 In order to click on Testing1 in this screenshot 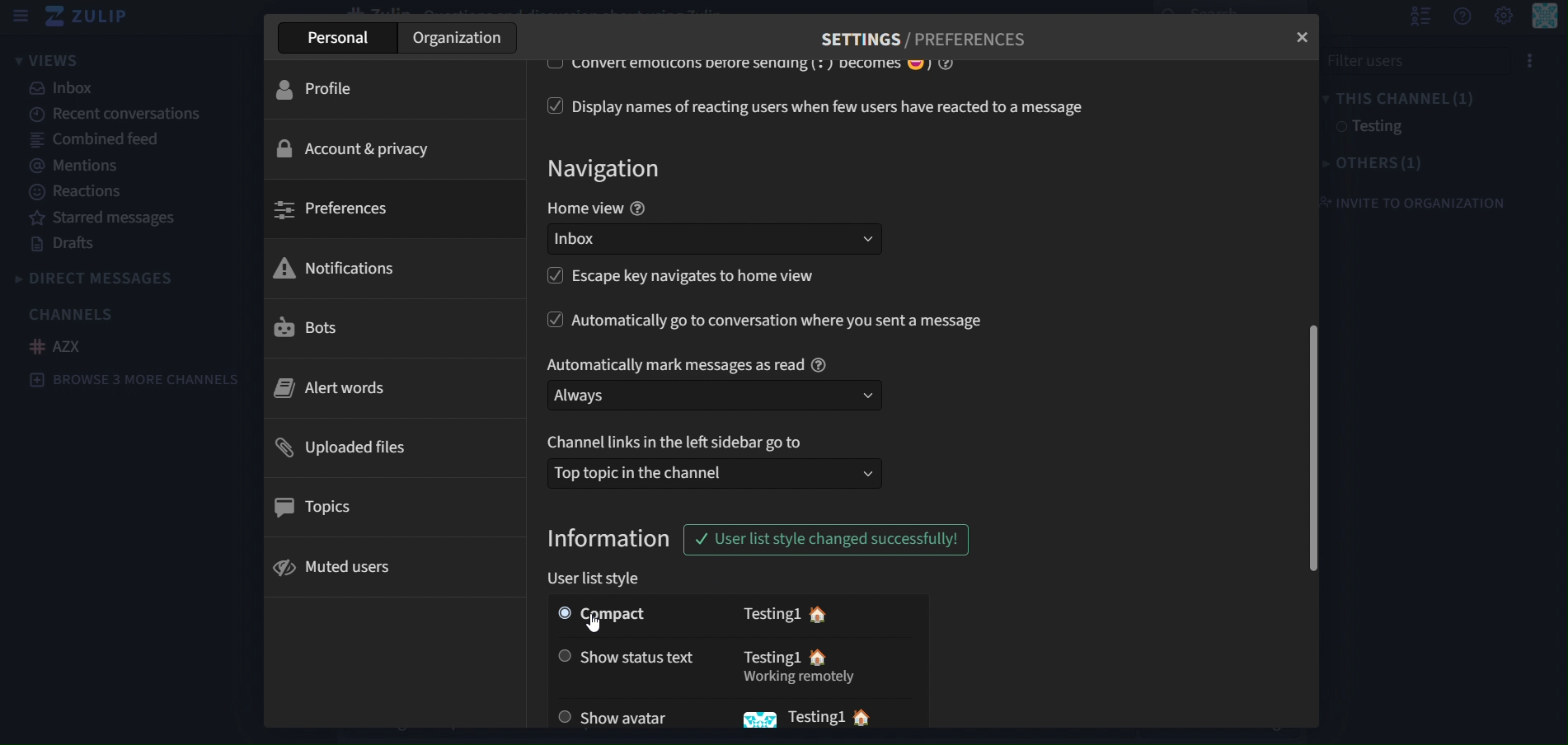, I will do `click(765, 658)`.